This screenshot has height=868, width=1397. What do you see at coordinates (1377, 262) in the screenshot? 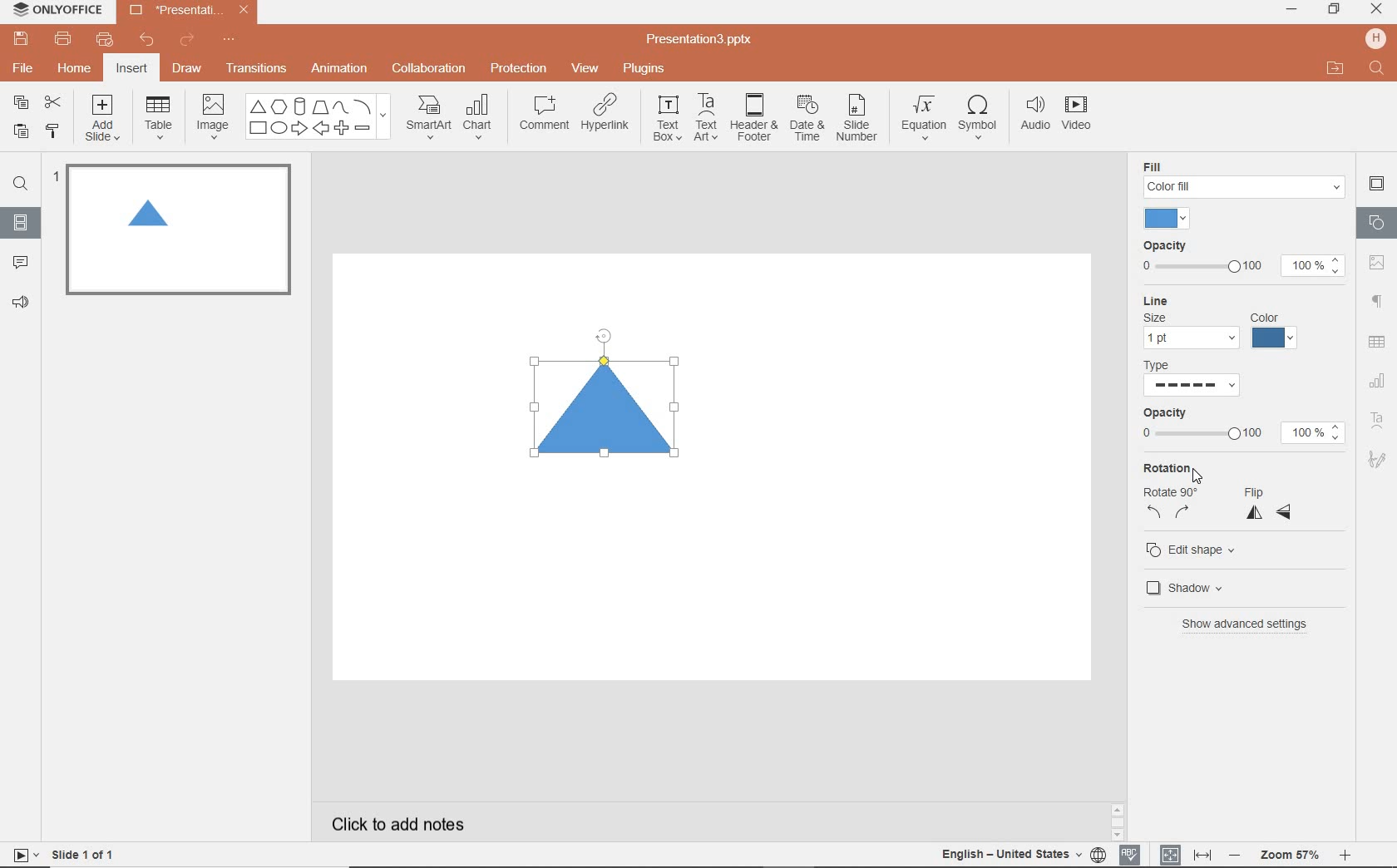
I see `IMAGE SETTINGS` at bounding box center [1377, 262].